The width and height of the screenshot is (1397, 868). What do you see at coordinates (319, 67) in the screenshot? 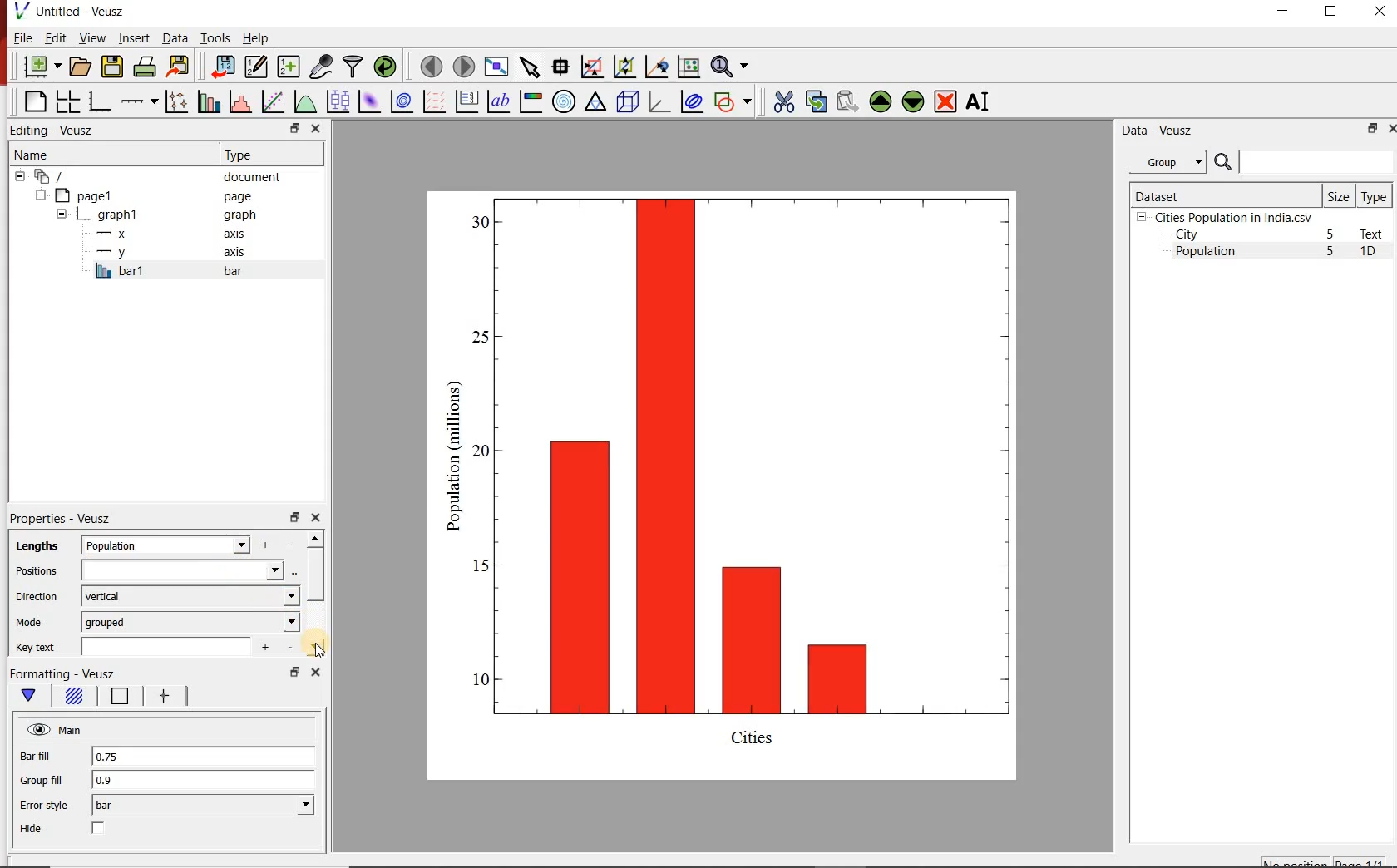
I see `capture remote data` at bounding box center [319, 67].